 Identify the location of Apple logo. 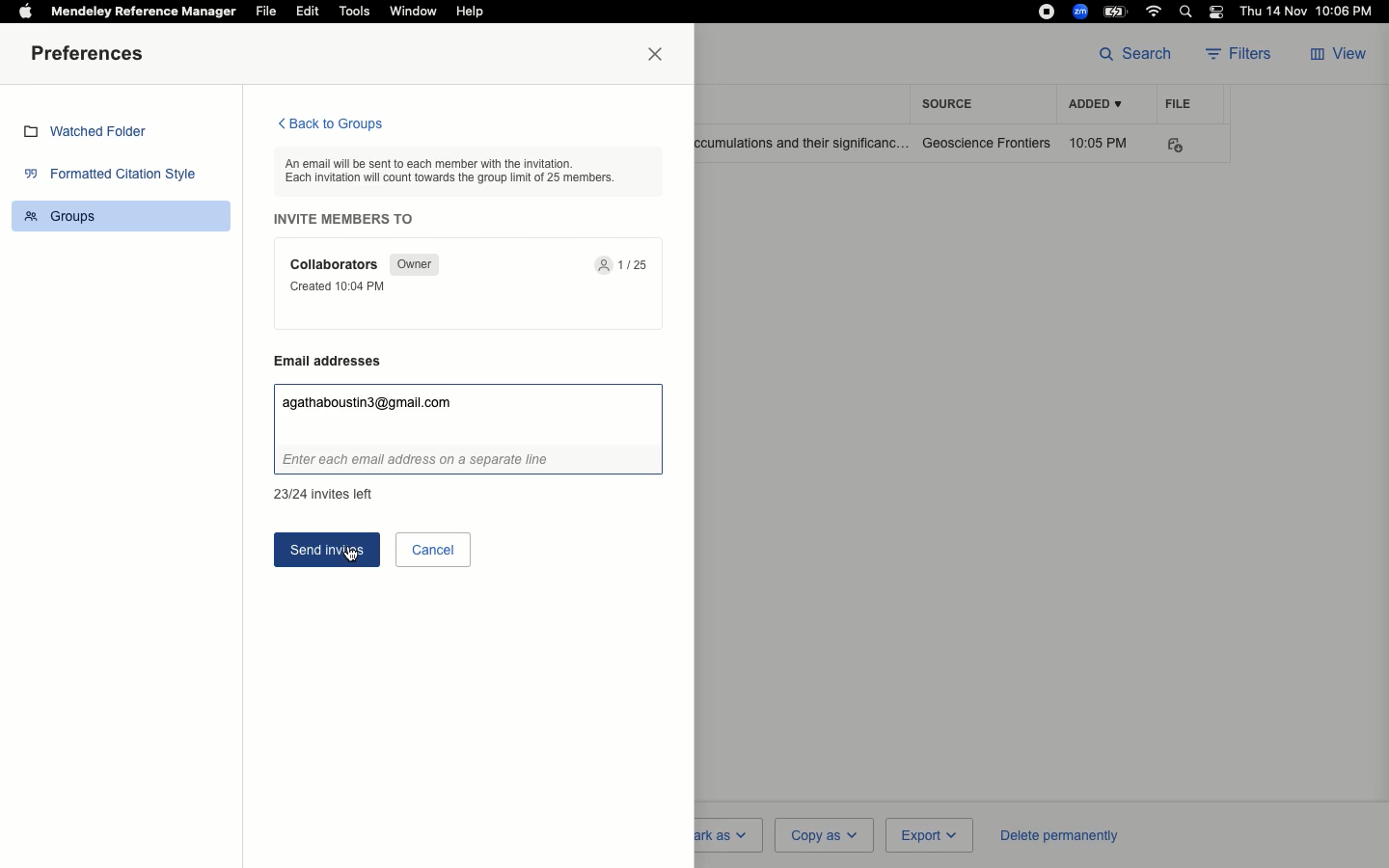
(25, 10).